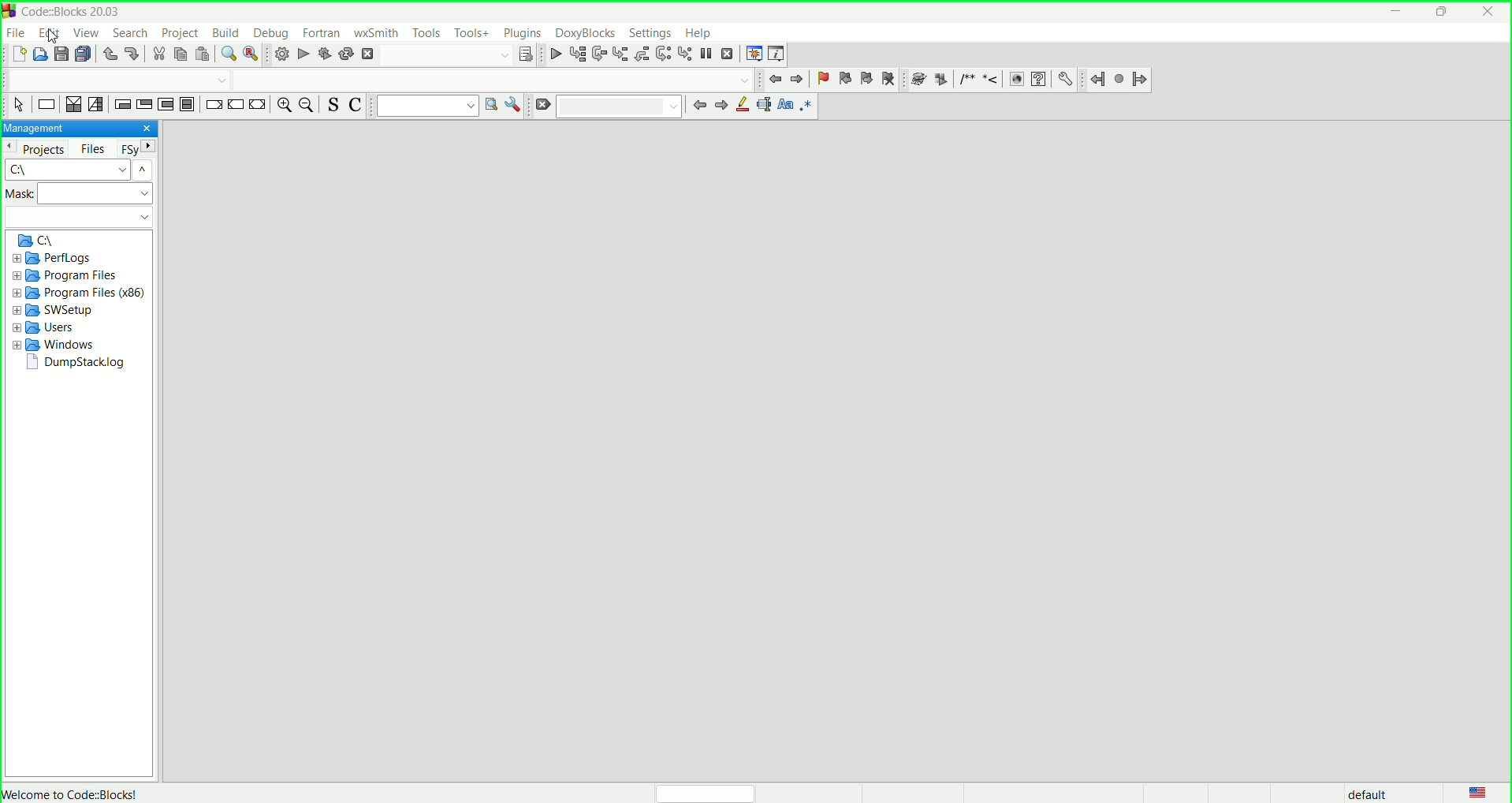 The image size is (1512, 803). What do you see at coordinates (765, 104) in the screenshot?
I see `selected text` at bounding box center [765, 104].